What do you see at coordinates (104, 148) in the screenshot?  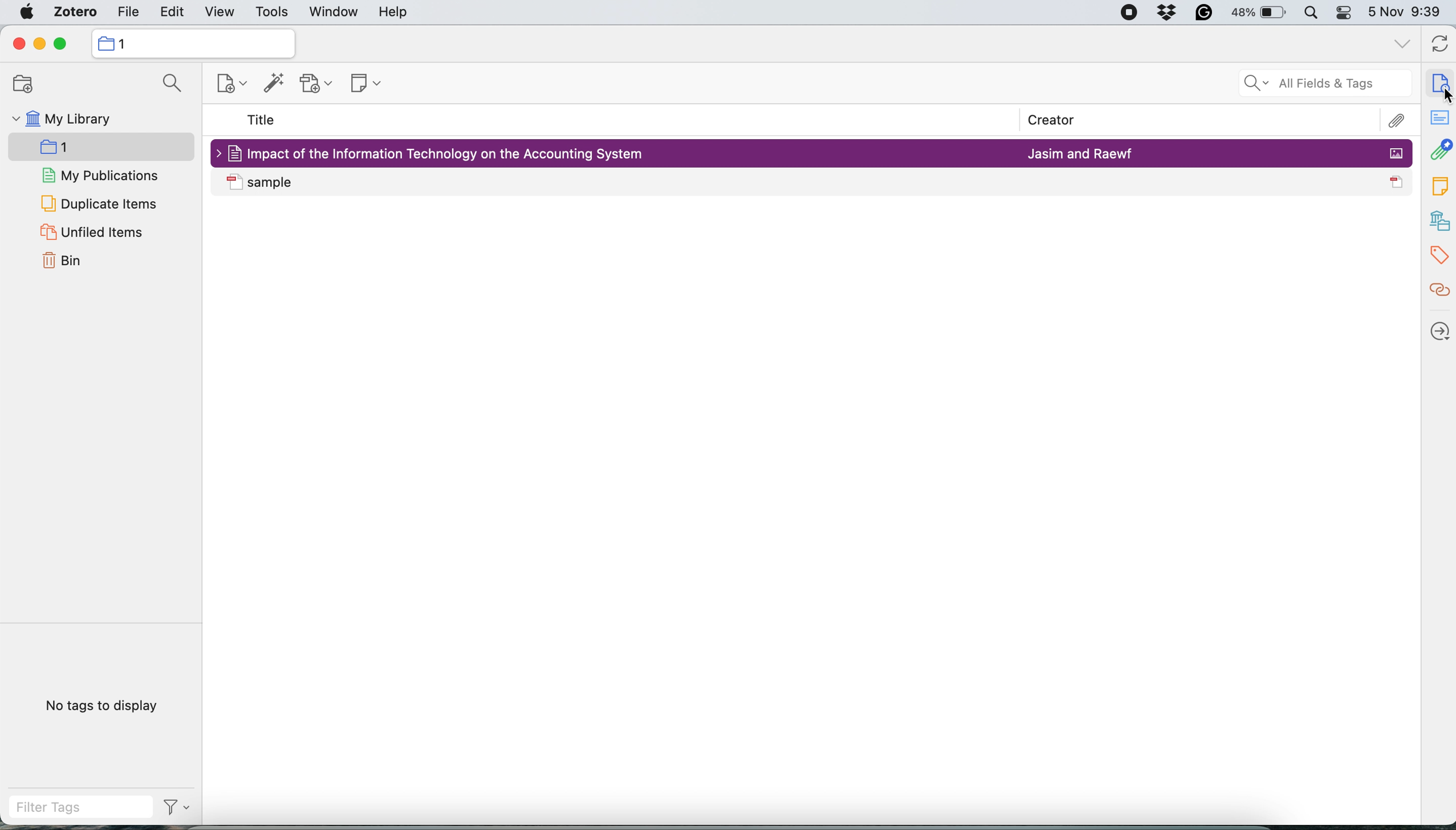 I see `1` at bounding box center [104, 148].